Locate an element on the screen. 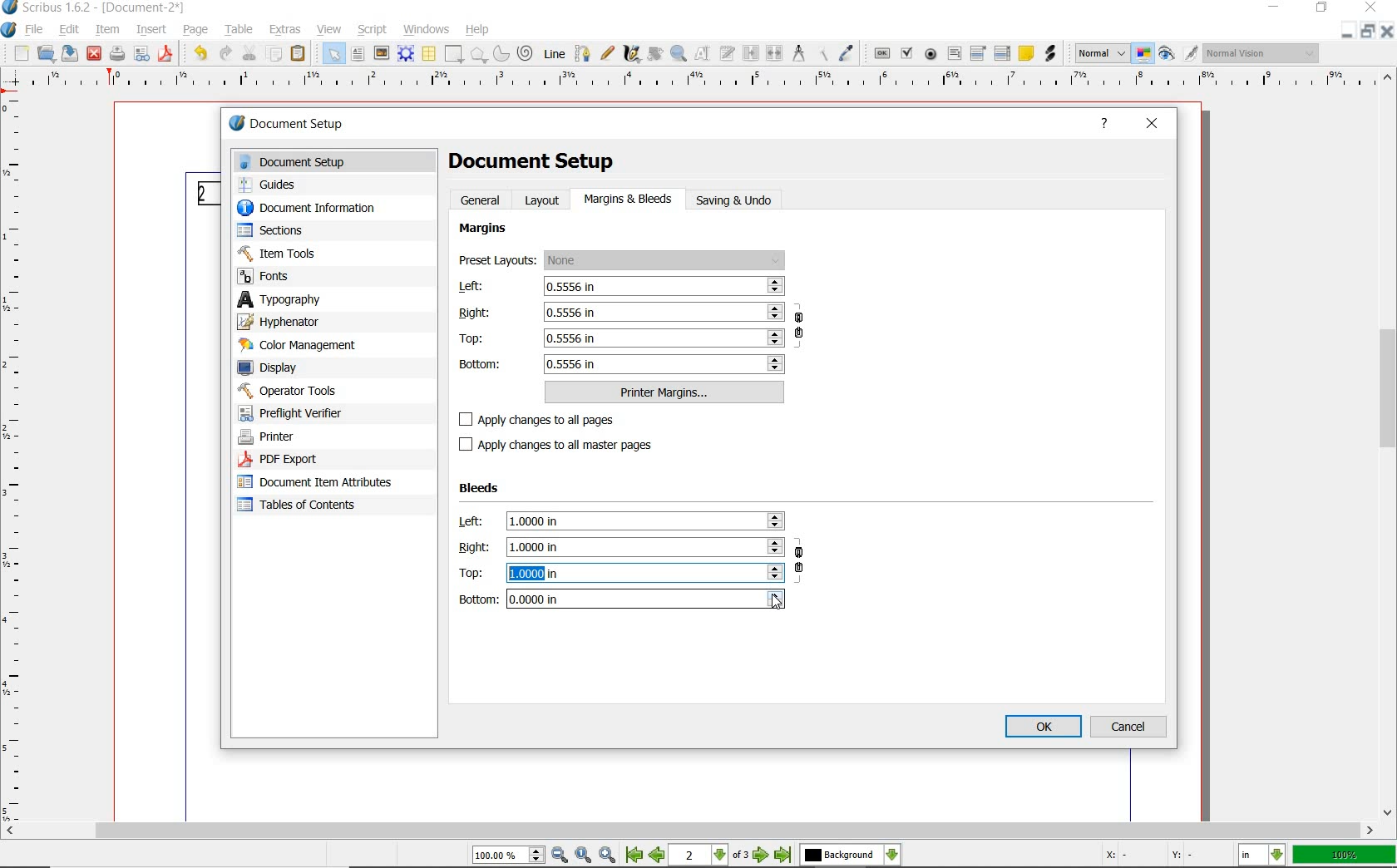 This screenshot has height=868, width=1397. saving & undo is located at coordinates (743, 201).